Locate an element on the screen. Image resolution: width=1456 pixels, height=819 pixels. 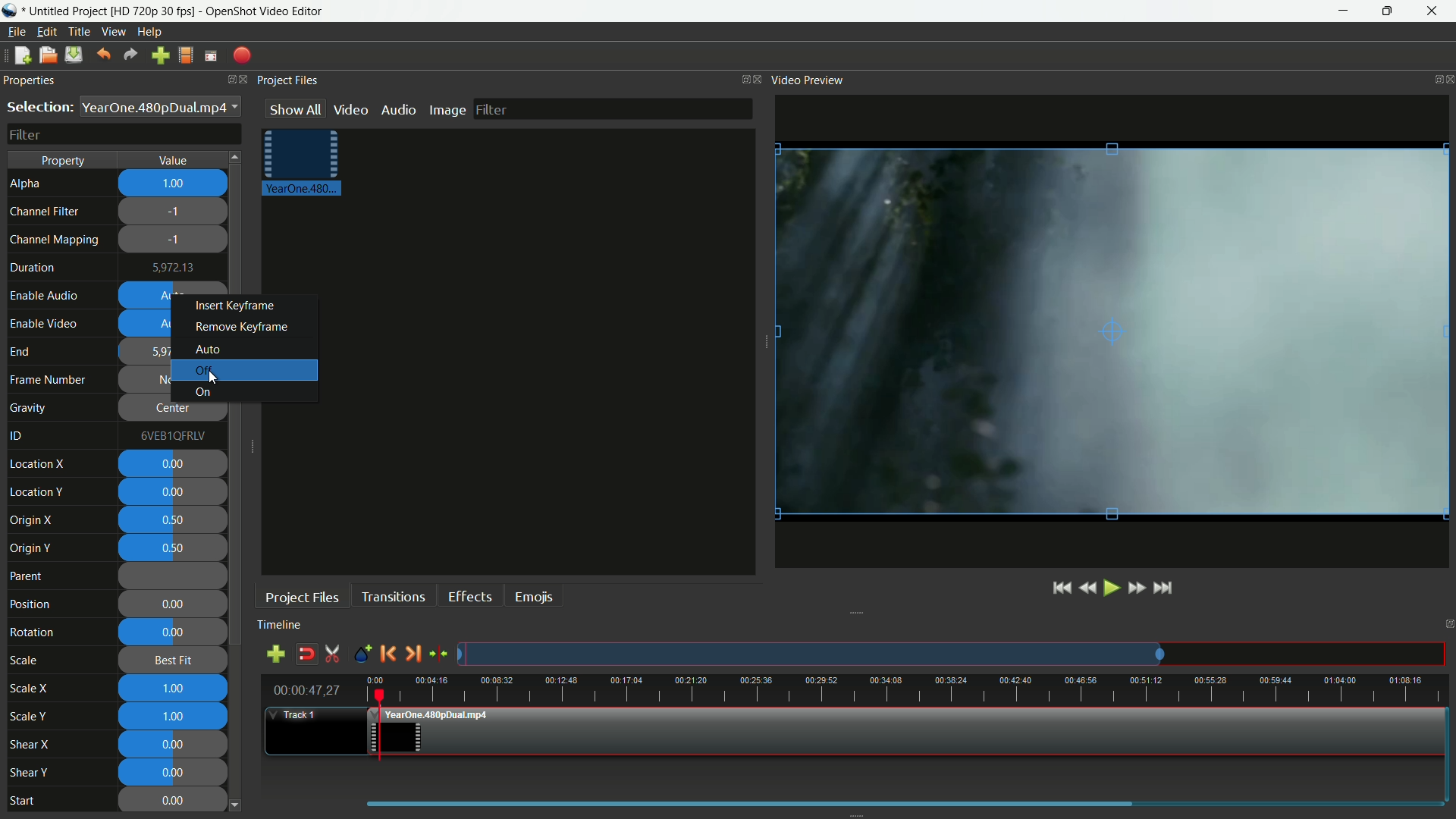
previous marker is located at coordinates (388, 651).